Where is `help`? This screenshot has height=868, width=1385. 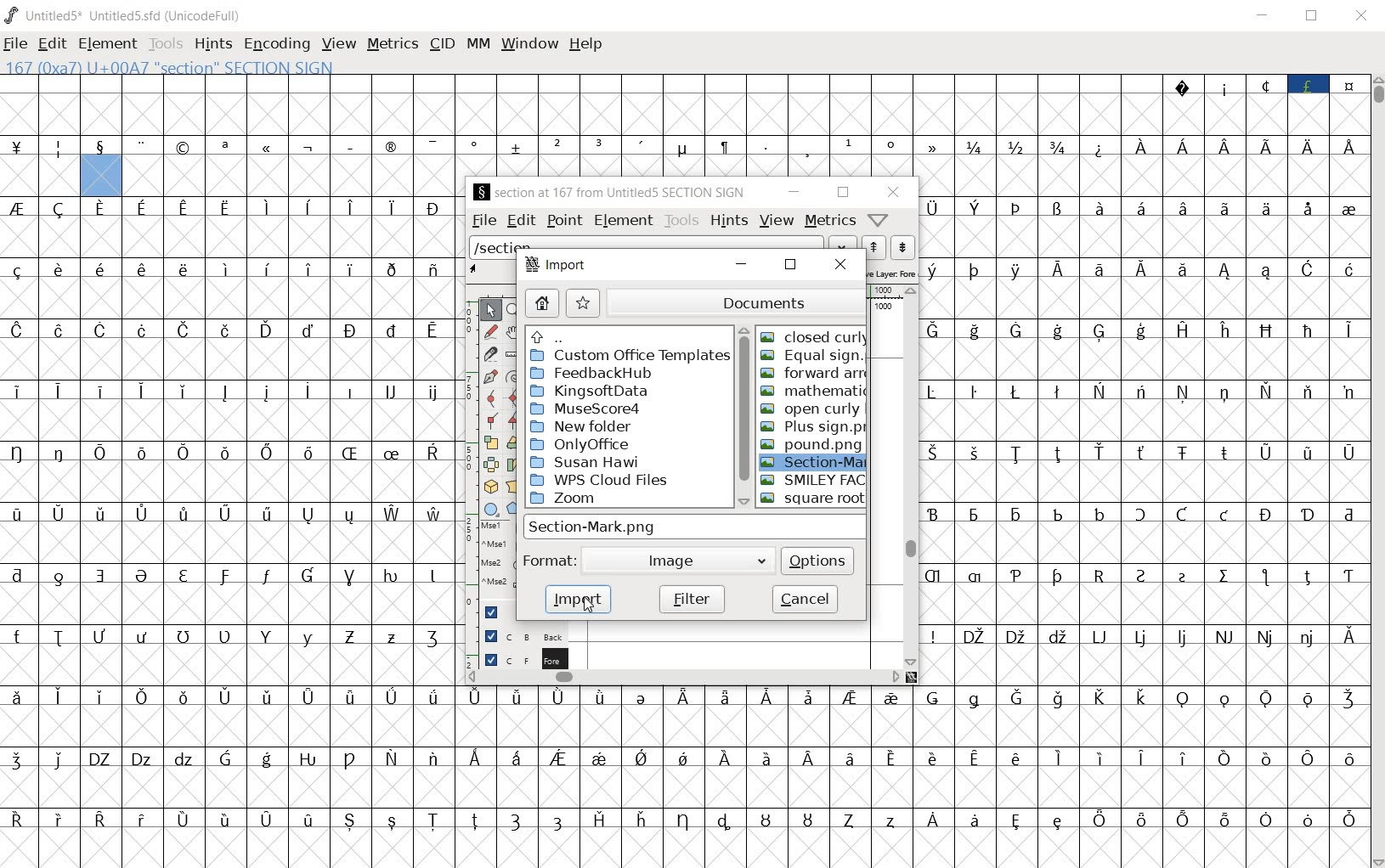
help is located at coordinates (586, 44).